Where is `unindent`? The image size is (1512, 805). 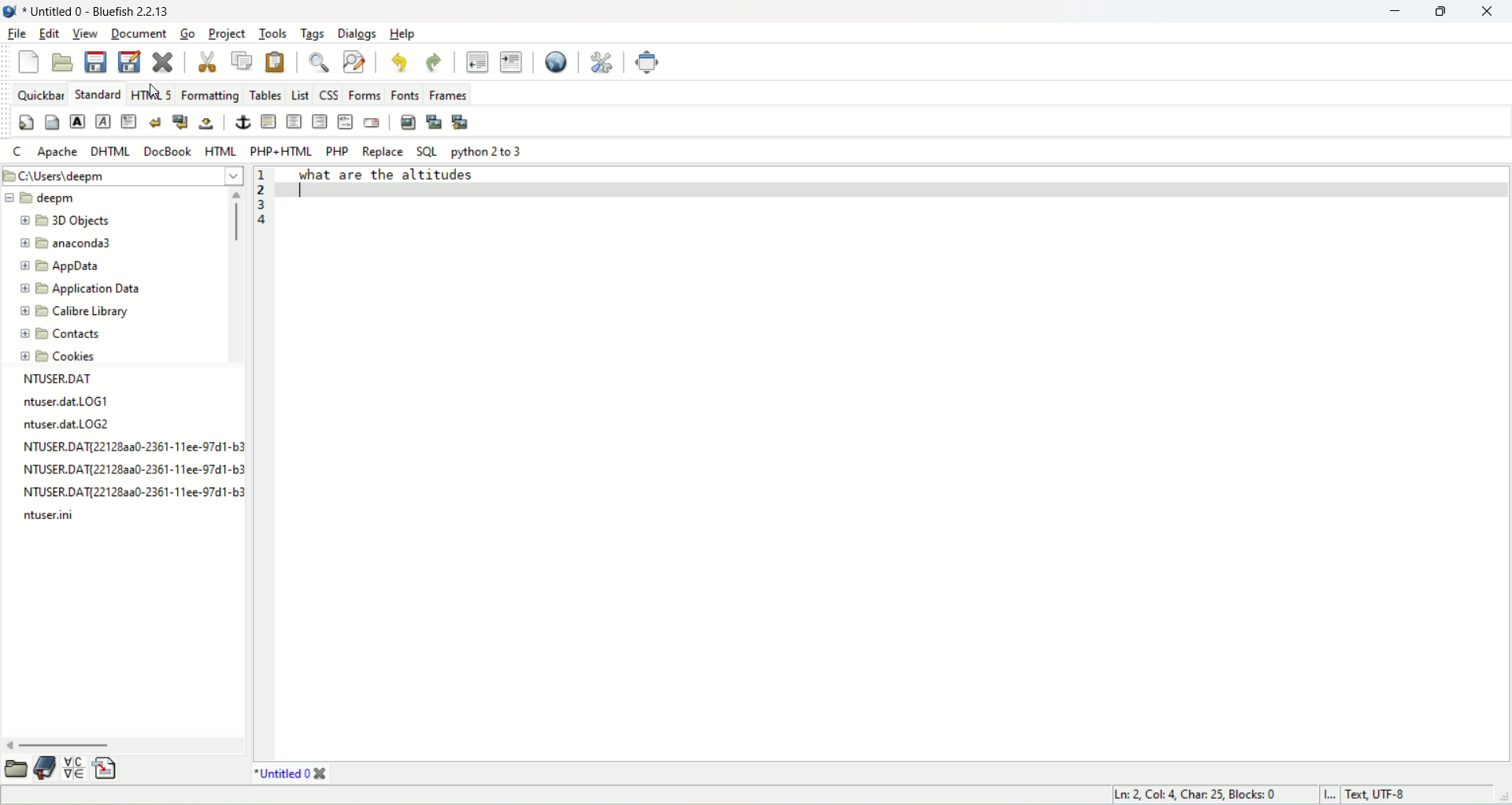 unindent is located at coordinates (476, 61).